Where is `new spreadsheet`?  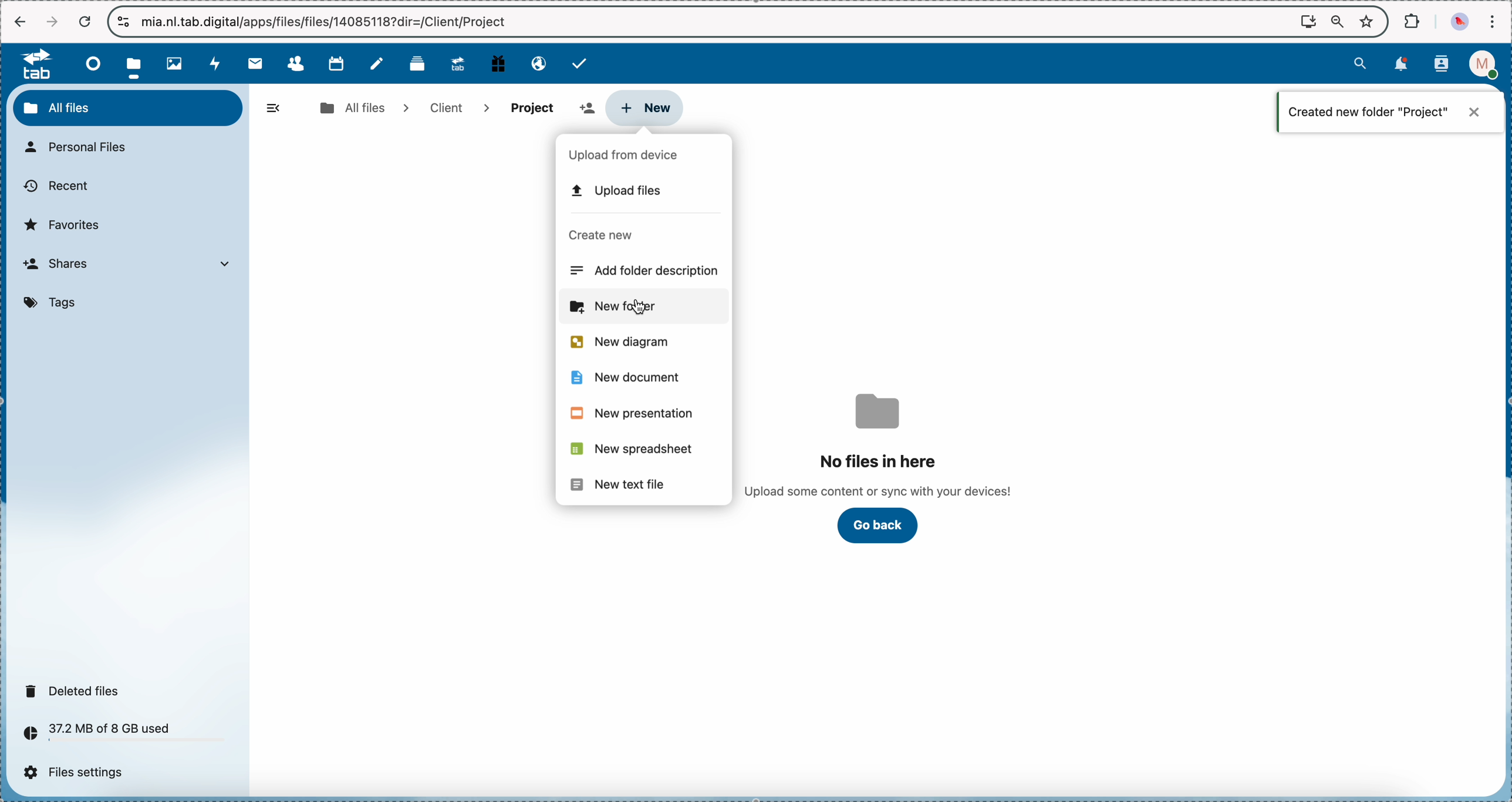 new spreadsheet is located at coordinates (631, 449).